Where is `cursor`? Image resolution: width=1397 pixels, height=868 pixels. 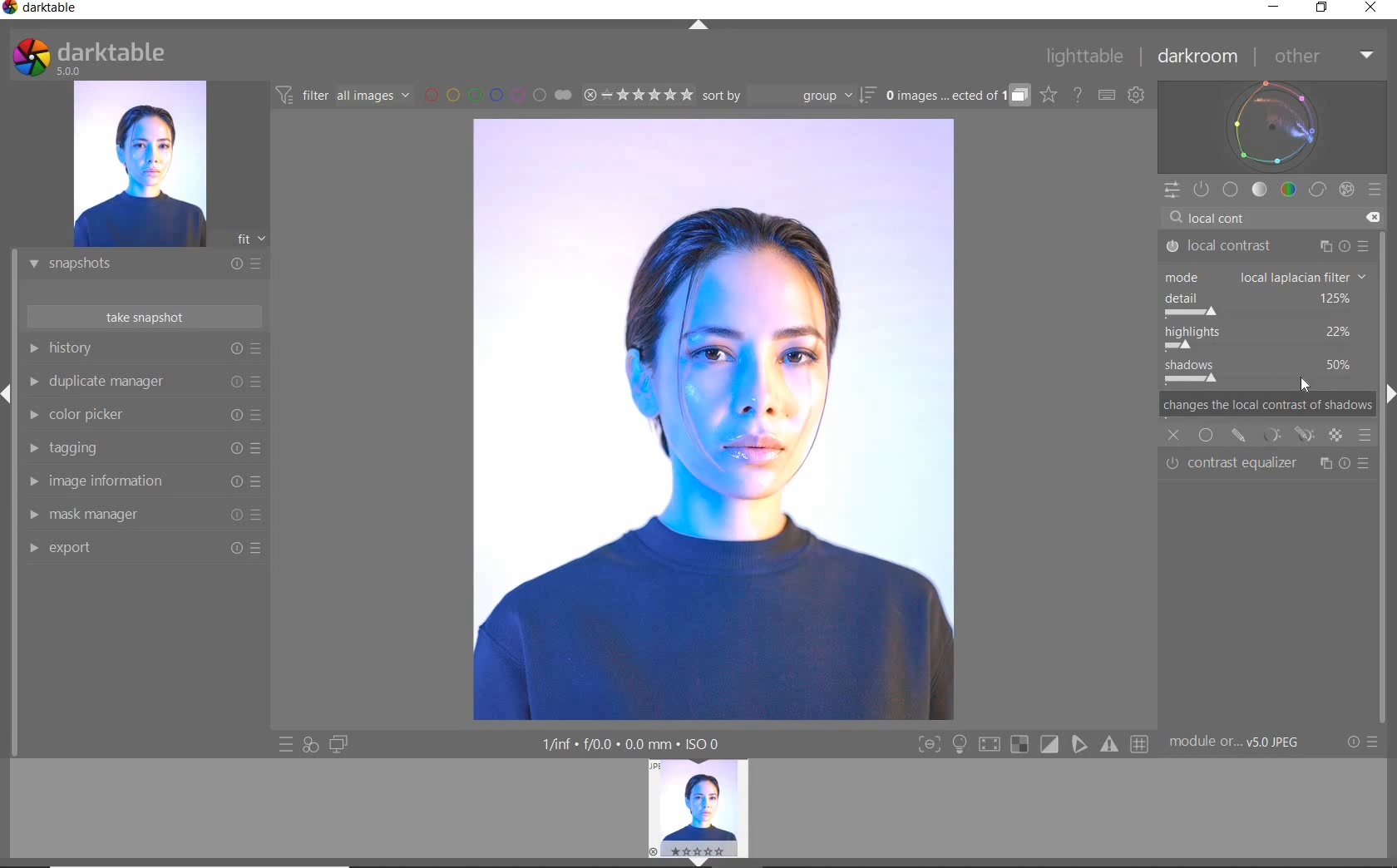 cursor is located at coordinates (1308, 383).